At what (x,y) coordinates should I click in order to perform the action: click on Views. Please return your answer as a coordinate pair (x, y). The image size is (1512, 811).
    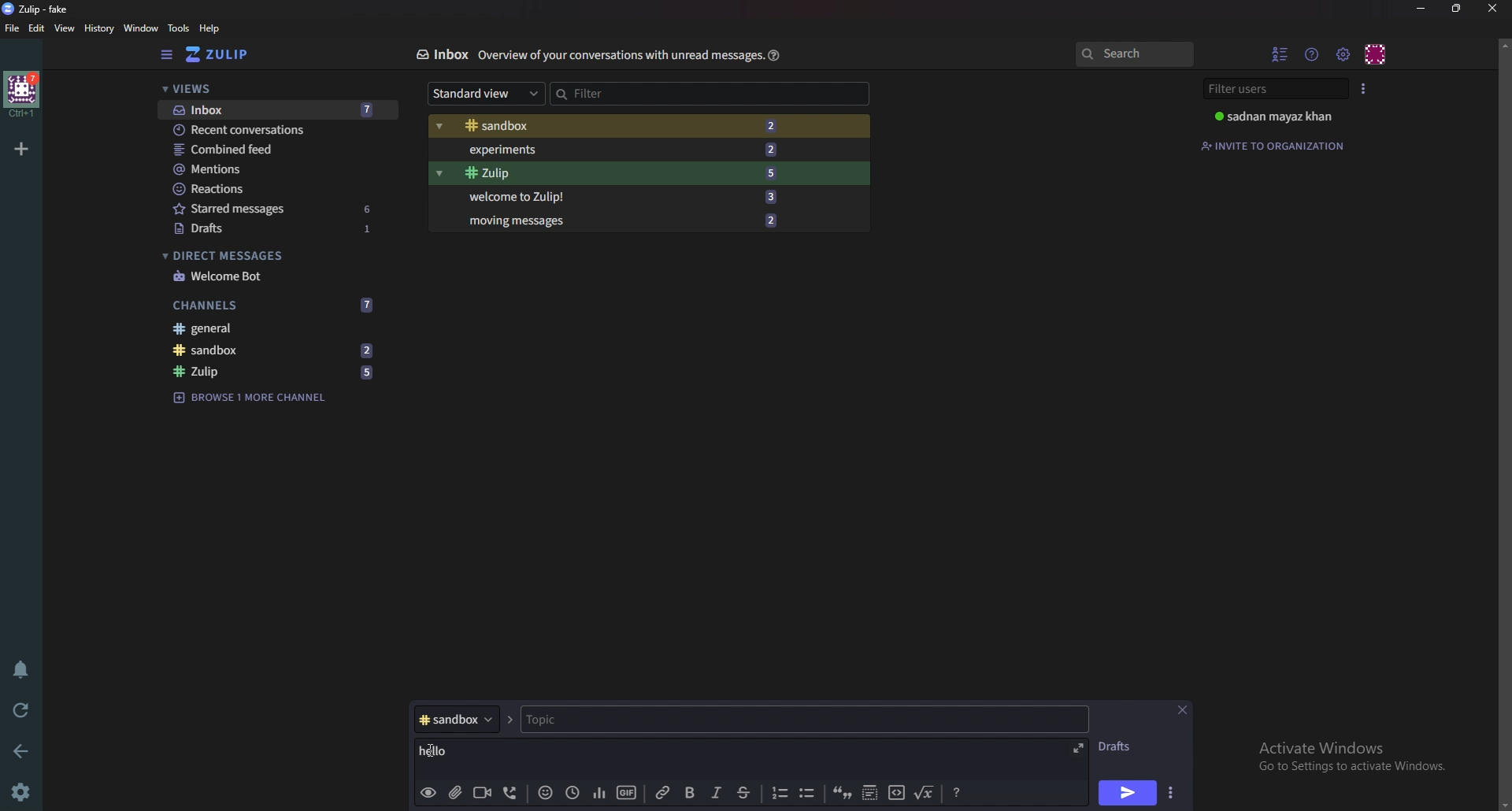
    Looking at the image, I should click on (267, 89).